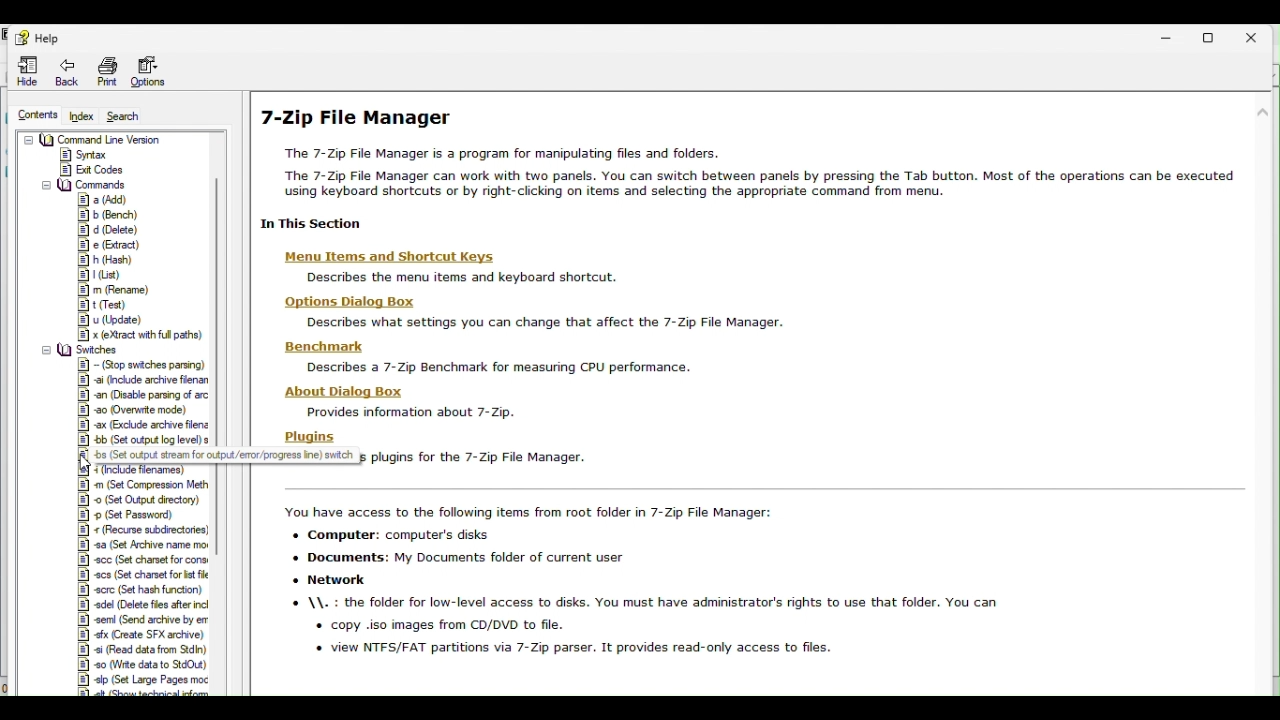  Describe the element at coordinates (407, 257) in the screenshot. I see `menu and shortcut` at that location.